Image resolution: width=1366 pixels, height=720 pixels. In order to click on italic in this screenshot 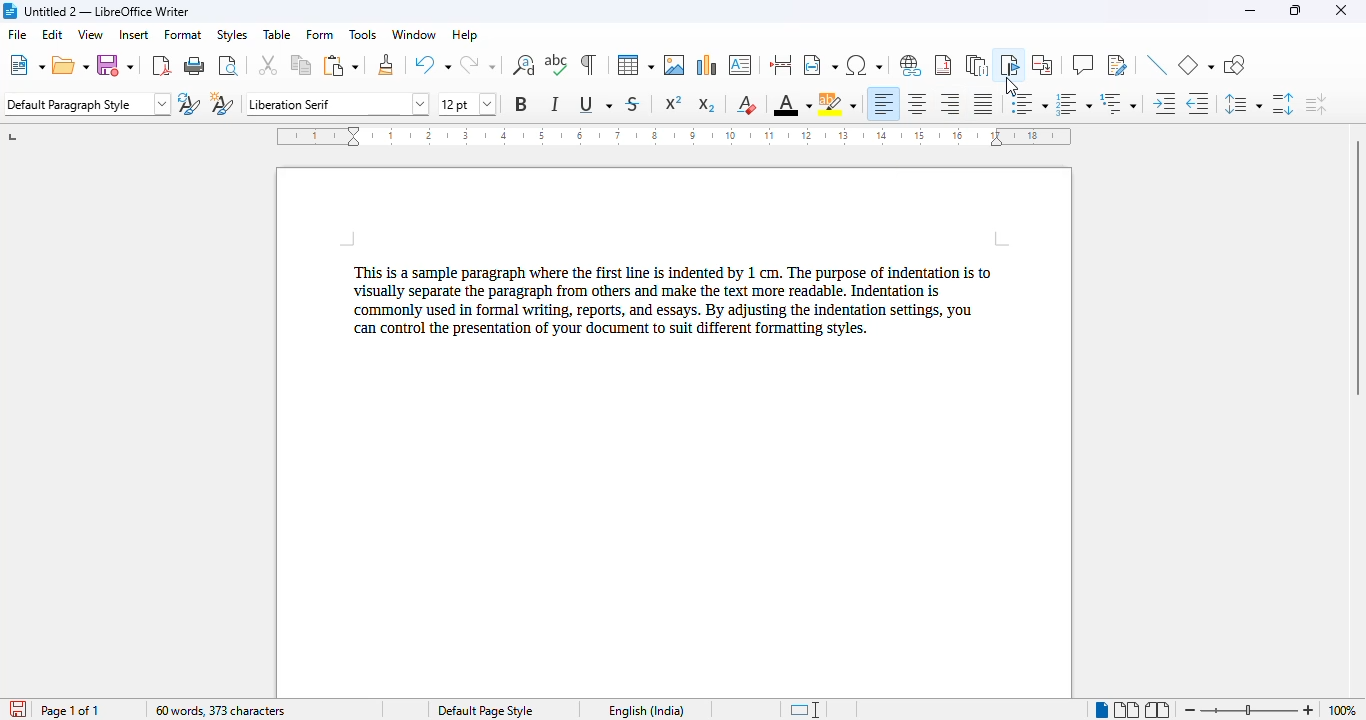, I will do `click(556, 103)`.